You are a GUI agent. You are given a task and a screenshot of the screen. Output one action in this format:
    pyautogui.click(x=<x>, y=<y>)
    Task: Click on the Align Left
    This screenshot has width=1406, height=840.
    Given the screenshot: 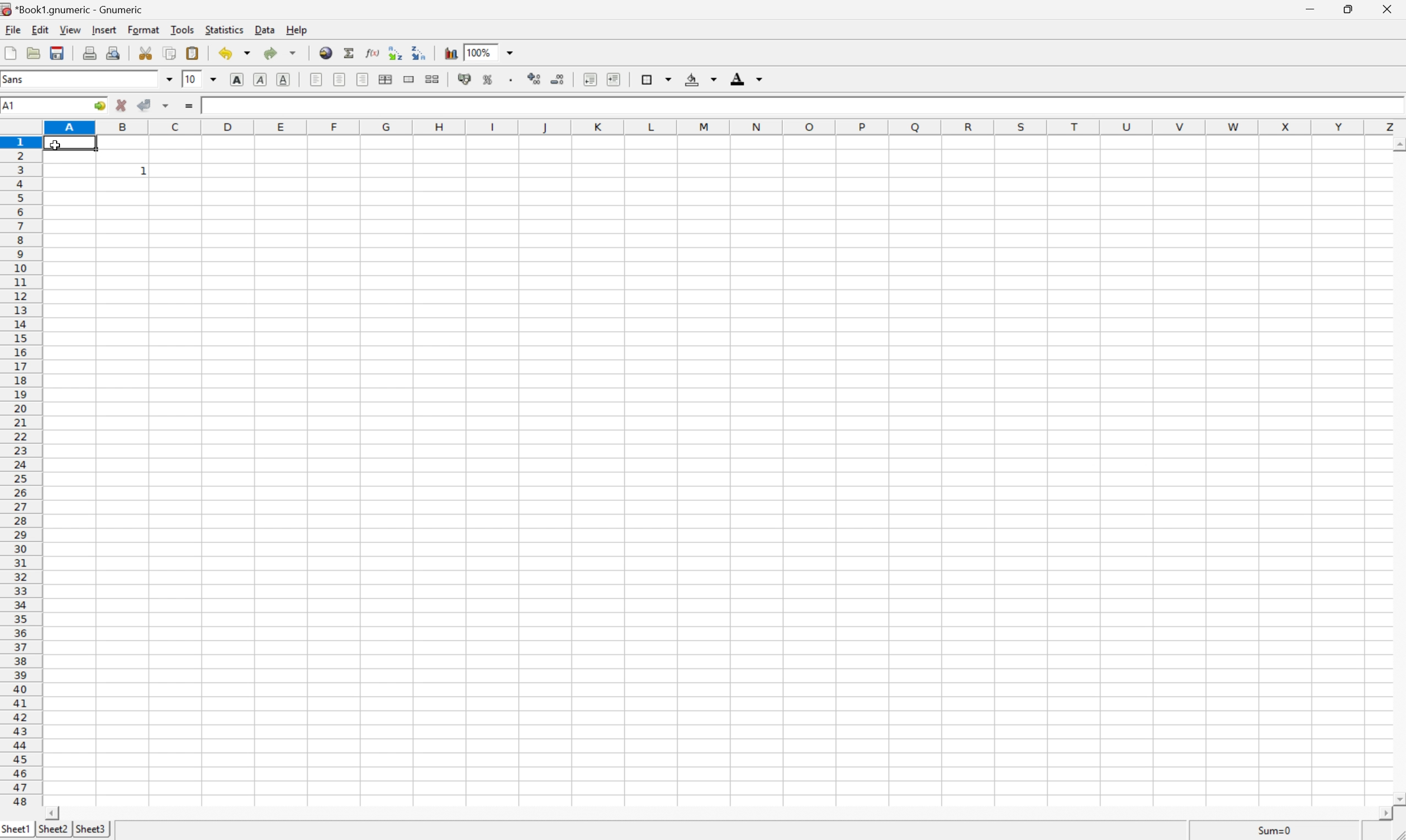 What is the action you would take?
    pyautogui.click(x=318, y=78)
    